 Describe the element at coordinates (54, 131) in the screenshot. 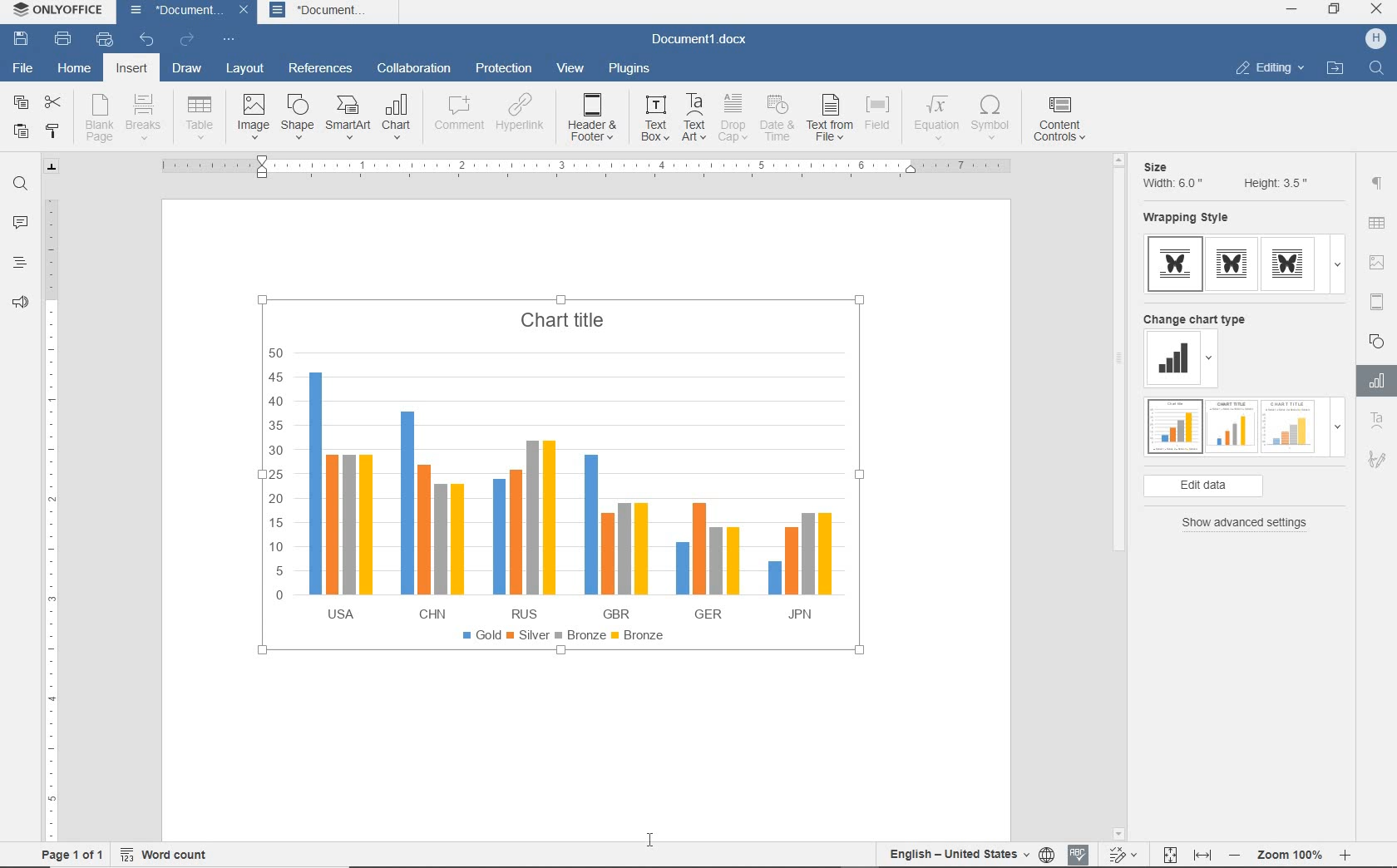

I see `copy style` at that location.